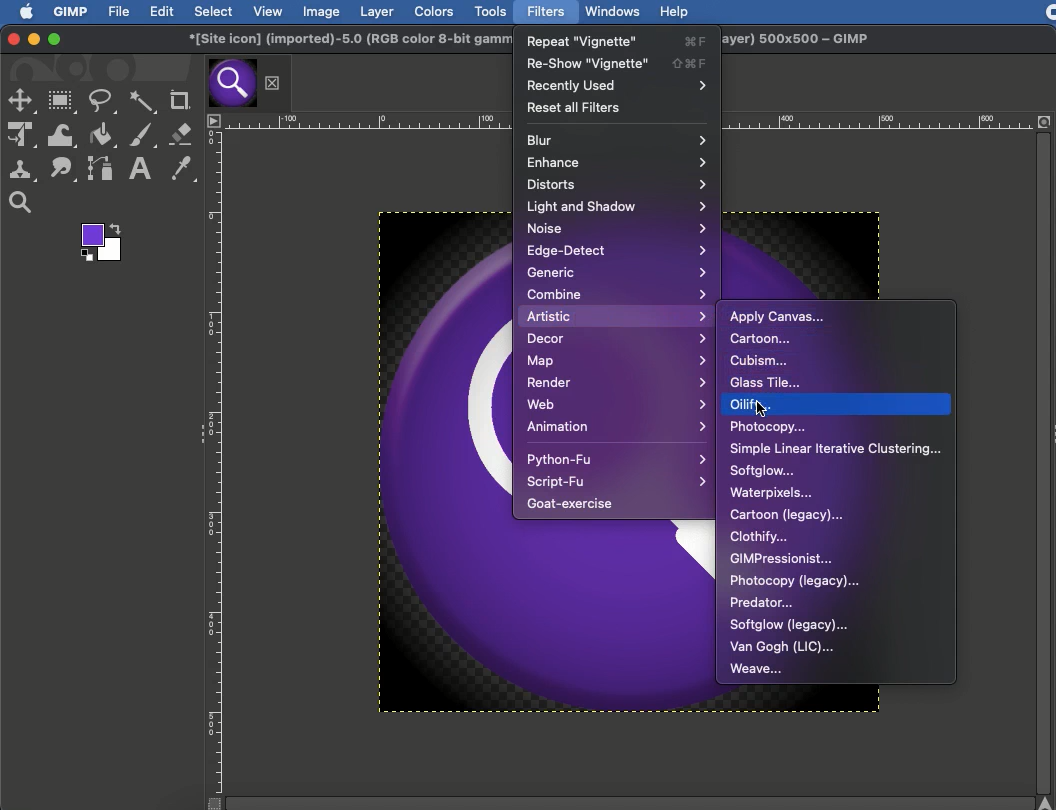 The height and width of the screenshot is (810, 1056). Describe the element at coordinates (215, 121) in the screenshot. I see `Menu` at that location.